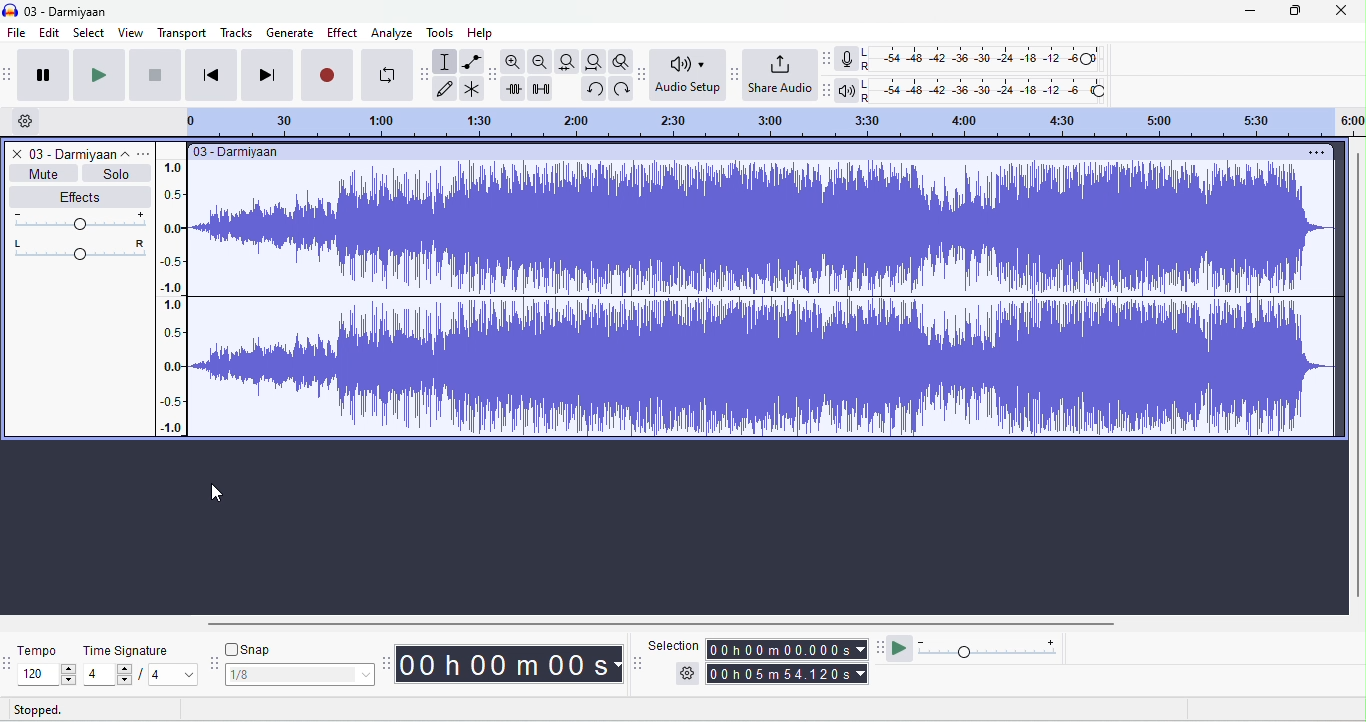 The width and height of the screenshot is (1366, 722). I want to click on transport, so click(182, 32).